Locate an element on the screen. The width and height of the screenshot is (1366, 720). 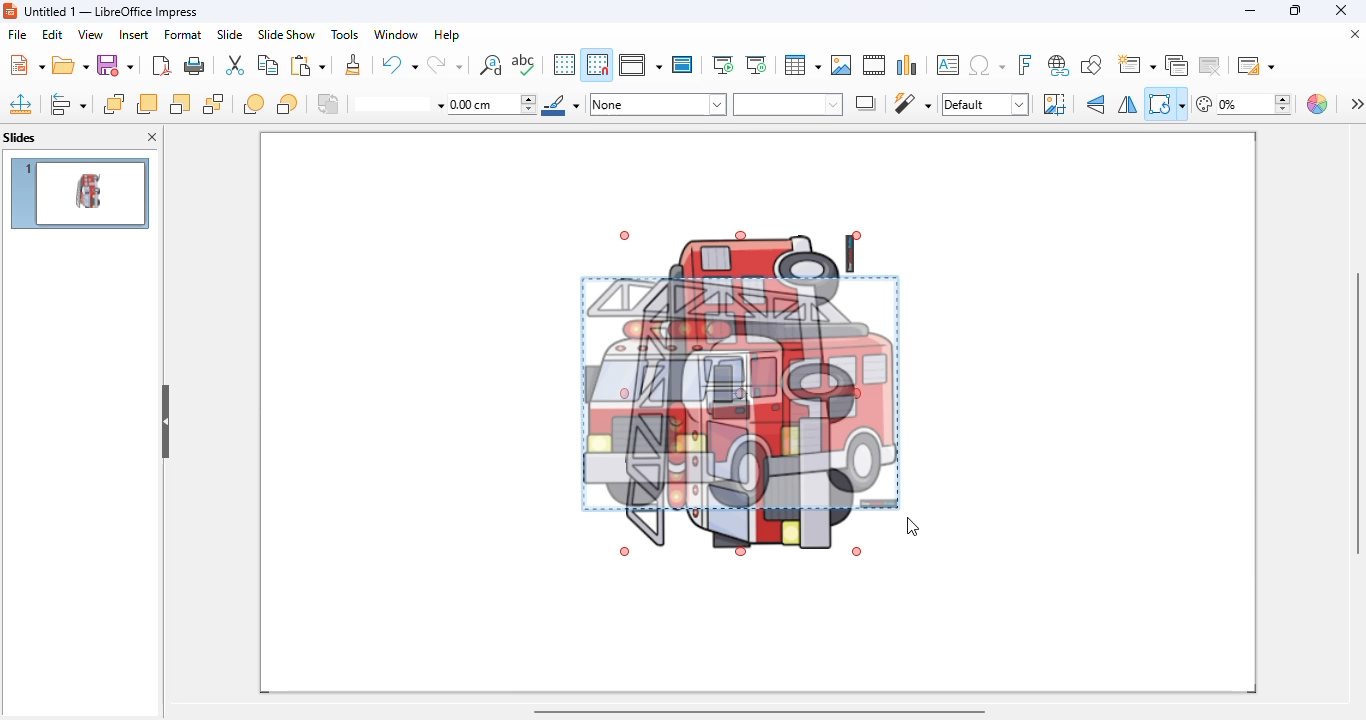
cut is located at coordinates (235, 65).